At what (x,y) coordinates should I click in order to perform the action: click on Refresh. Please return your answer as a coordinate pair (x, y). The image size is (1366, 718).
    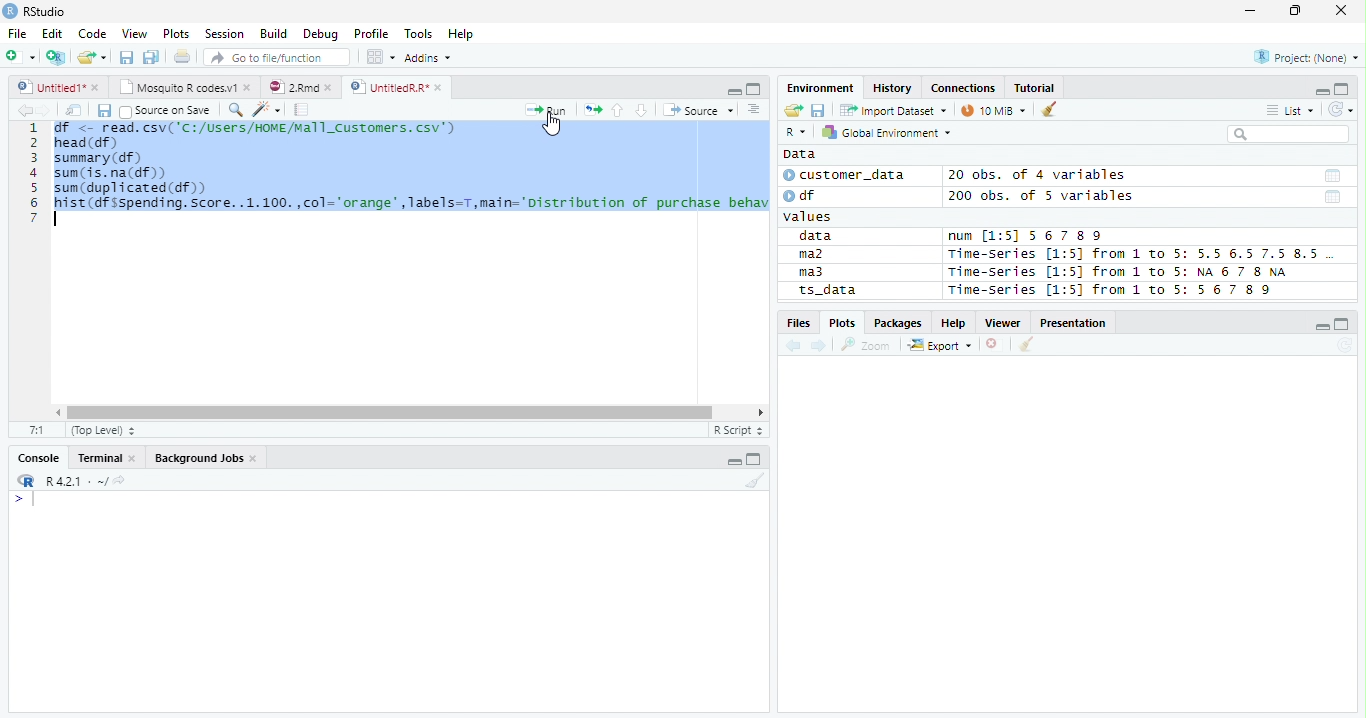
    Looking at the image, I should click on (1345, 346).